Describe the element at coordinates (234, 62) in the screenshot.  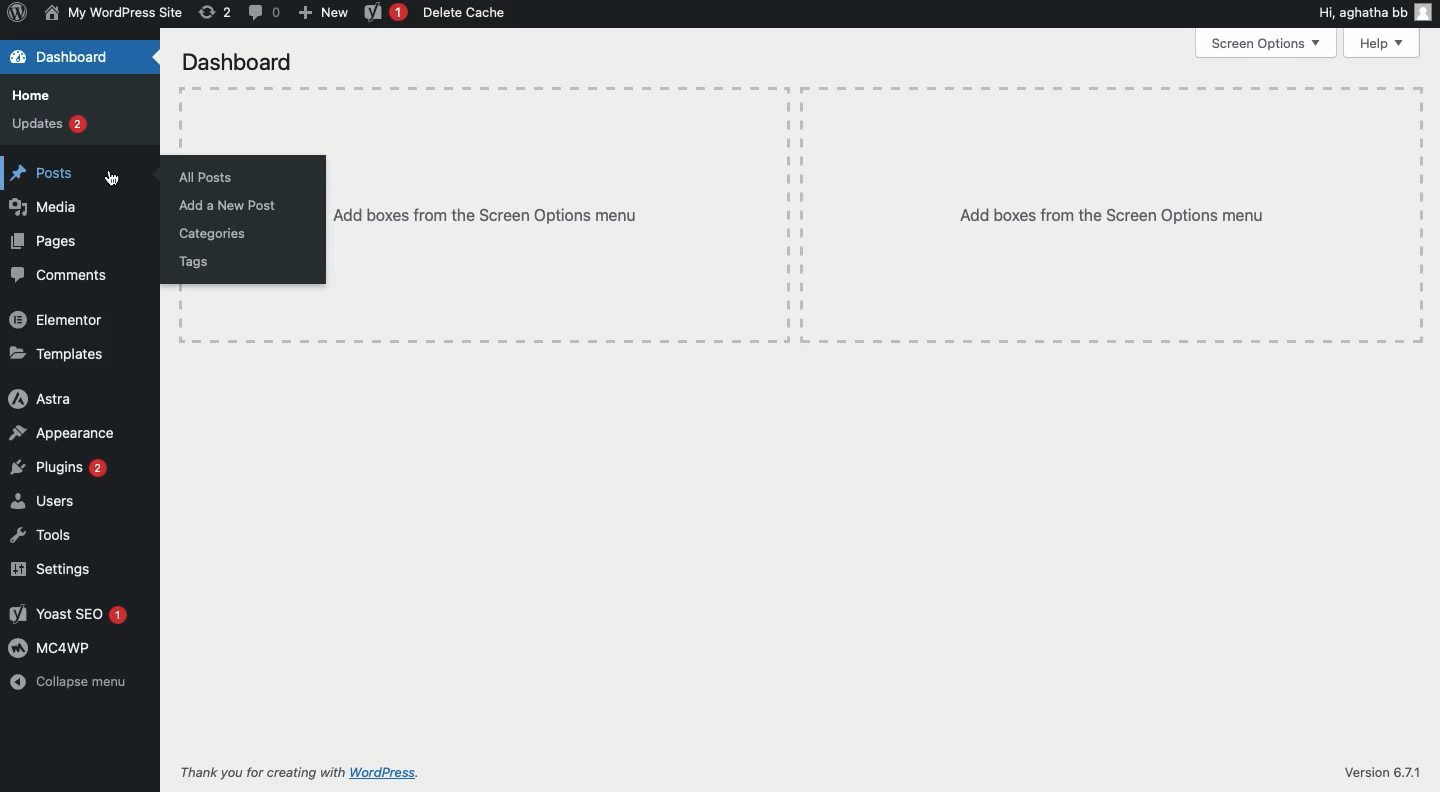
I see `Dashboard` at that location.